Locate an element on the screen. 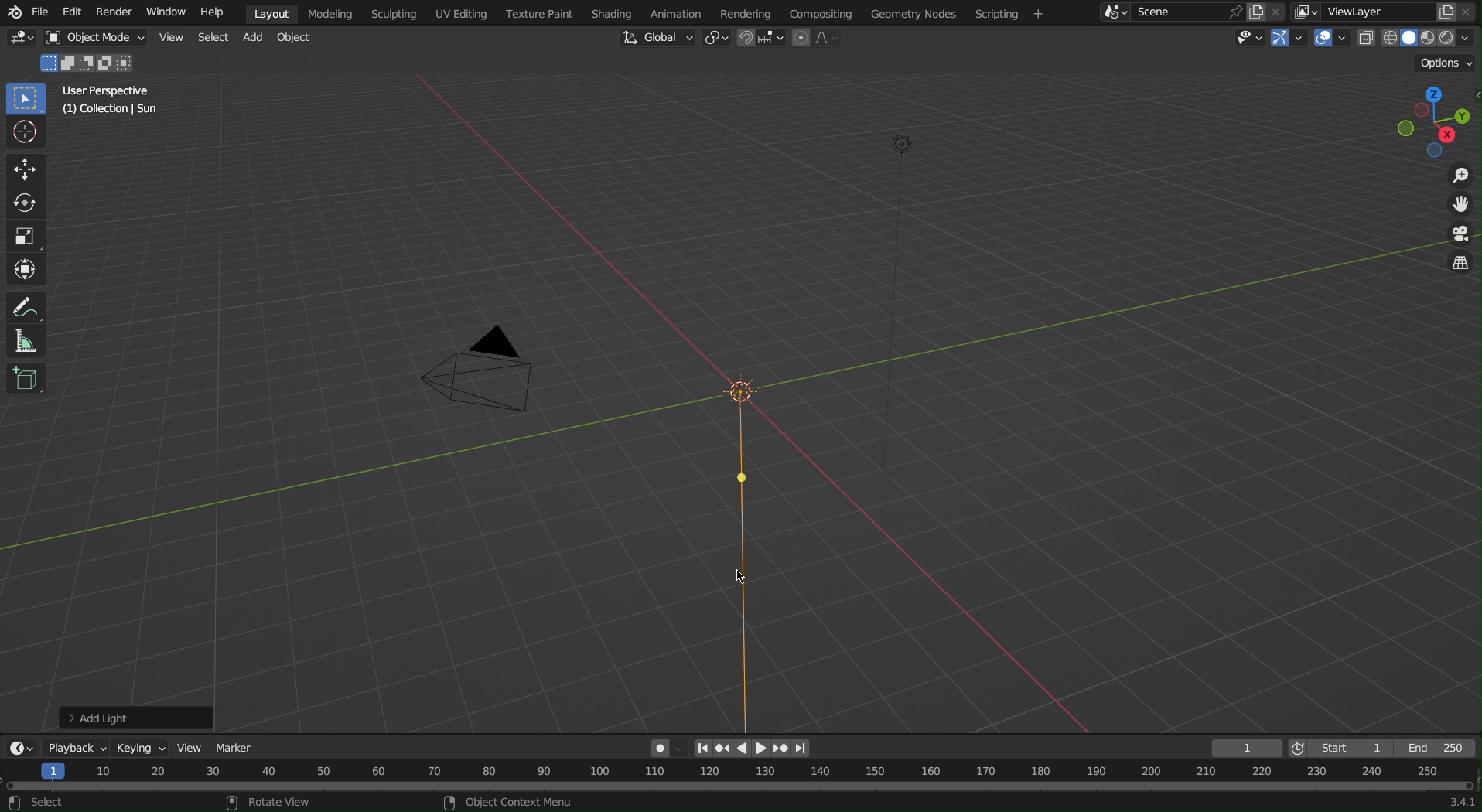 This screenshot has height=812, width=1482. Toggle View is located at coordinates (1458, 265).